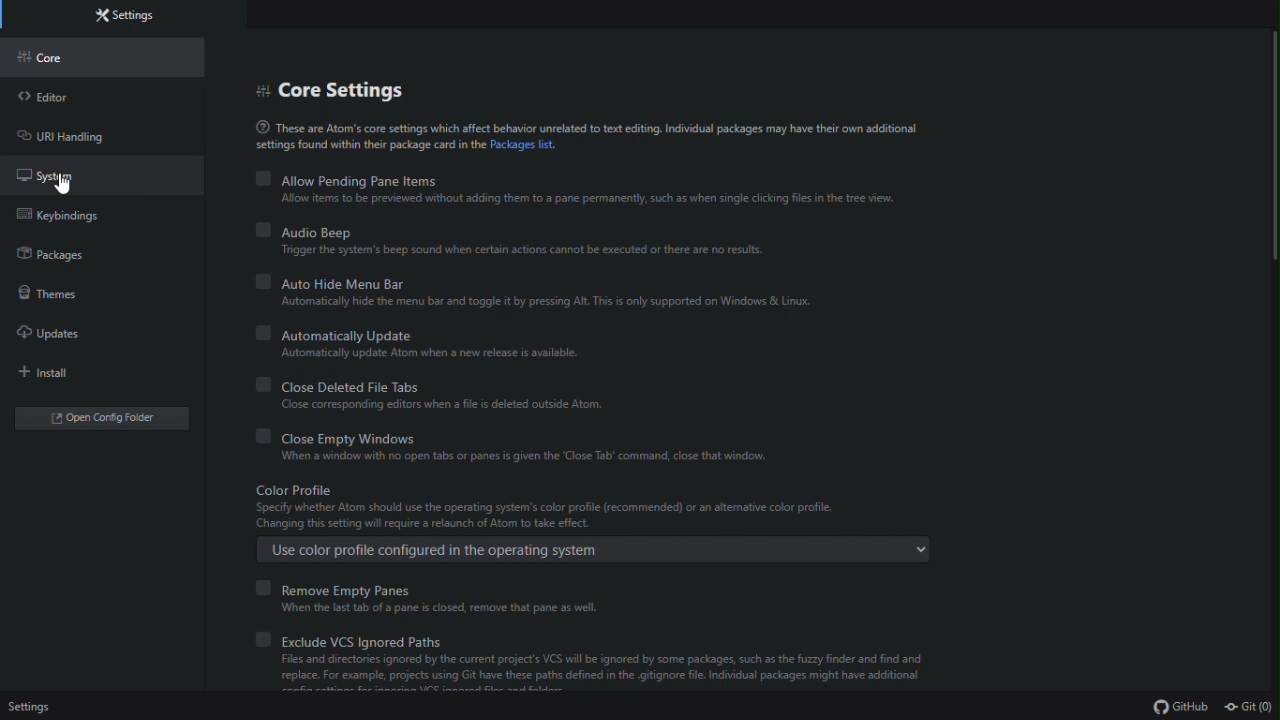  What do you see at coordinates (445, 406) in the screenshot?
I see `Close corresponding editors when a file is deleted outside Atom.` at bounding box center [445, 406].